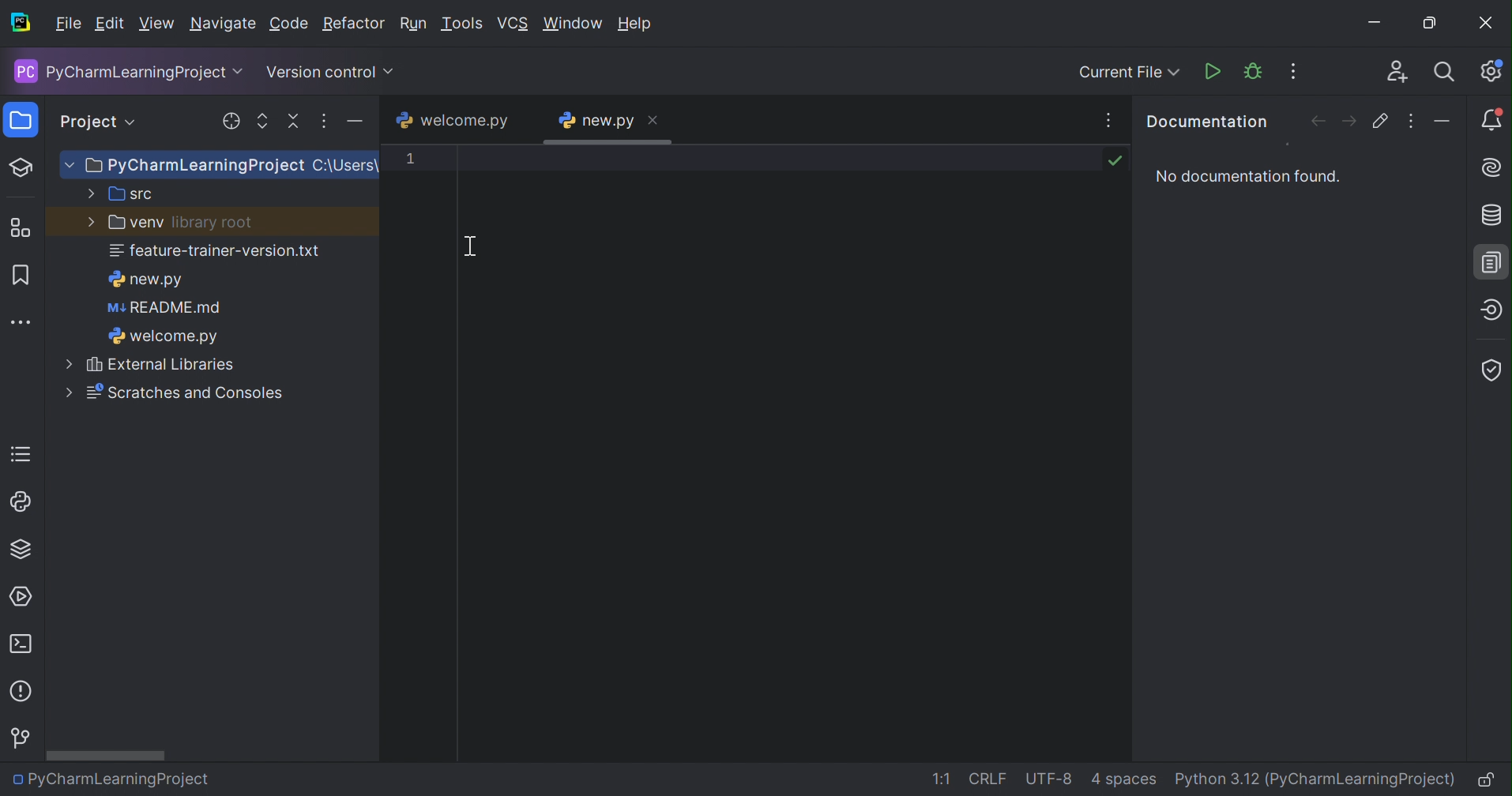  I want to click on Version Control, so click(22, 738).